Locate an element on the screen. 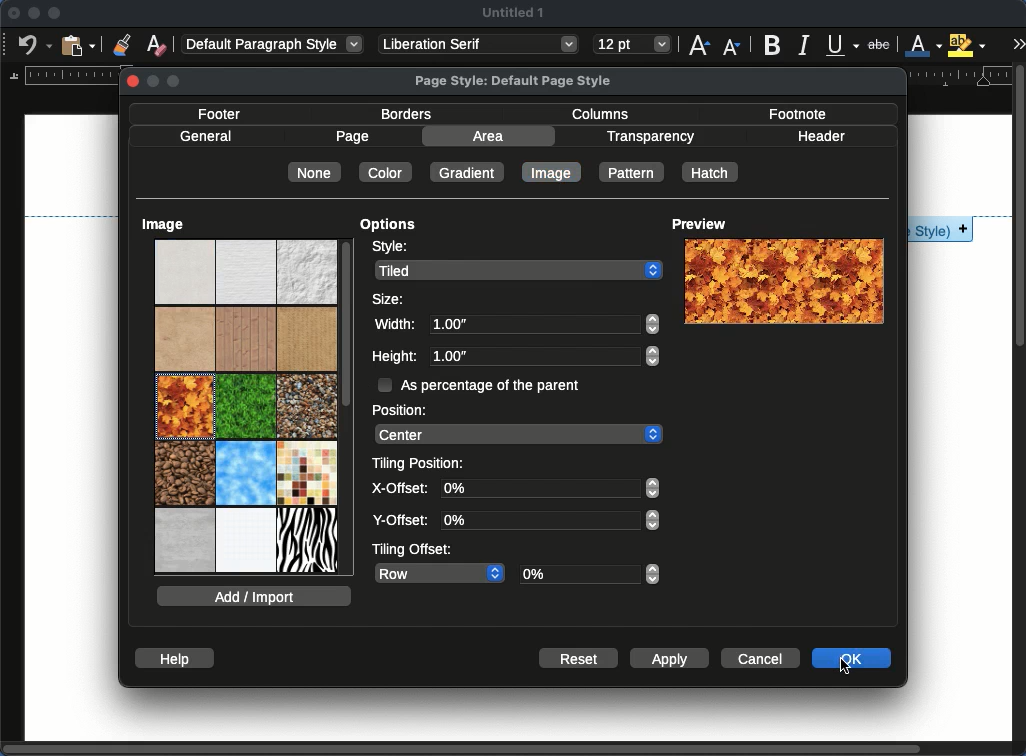  clone formatting is located at coordinates (122, 44).